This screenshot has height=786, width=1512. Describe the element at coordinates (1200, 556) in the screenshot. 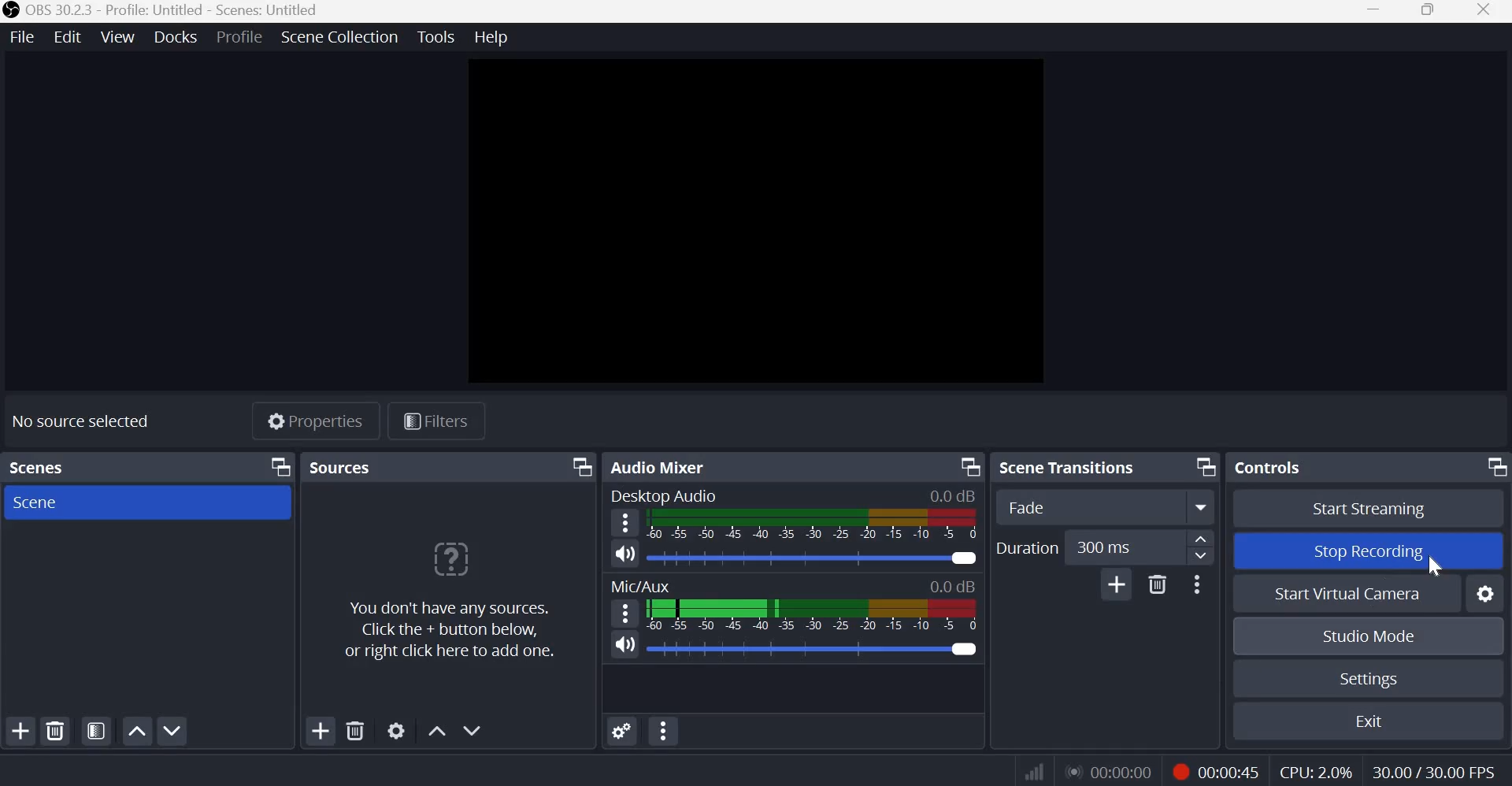

I see `Decrease` at that location.